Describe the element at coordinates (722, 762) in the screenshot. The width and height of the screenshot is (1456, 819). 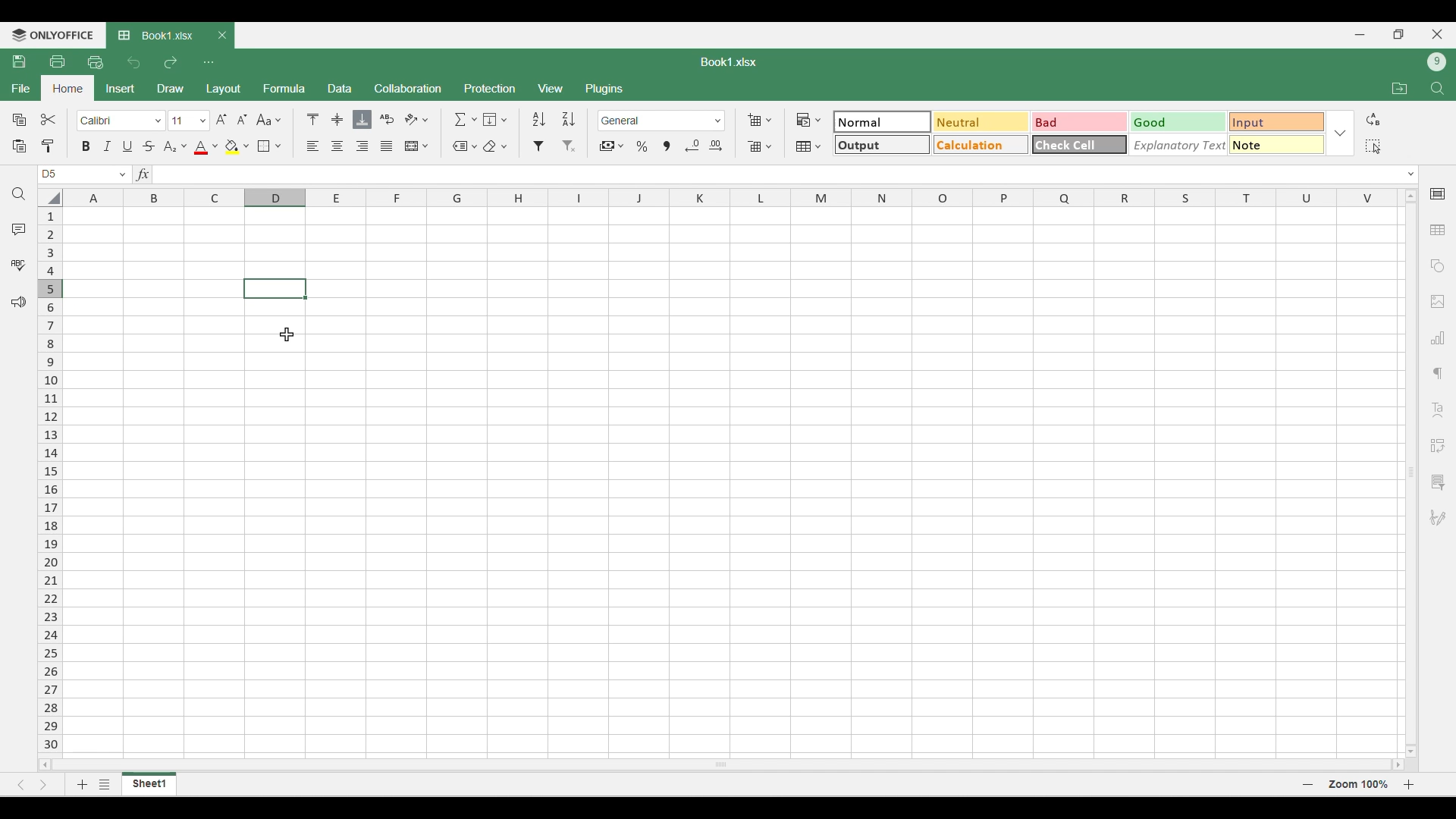
I see `Horizontal slide bar` at that location.